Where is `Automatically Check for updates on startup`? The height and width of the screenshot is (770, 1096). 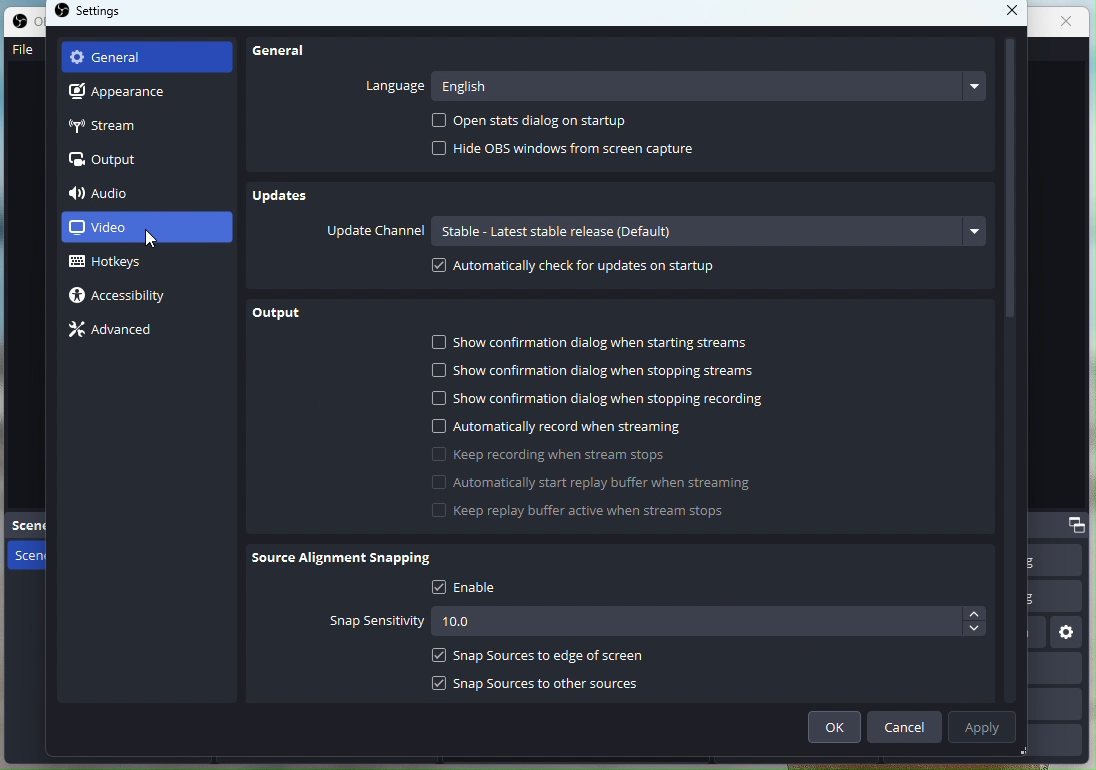
Automatically Check for updates on startup is located at coordinates (573, 266).